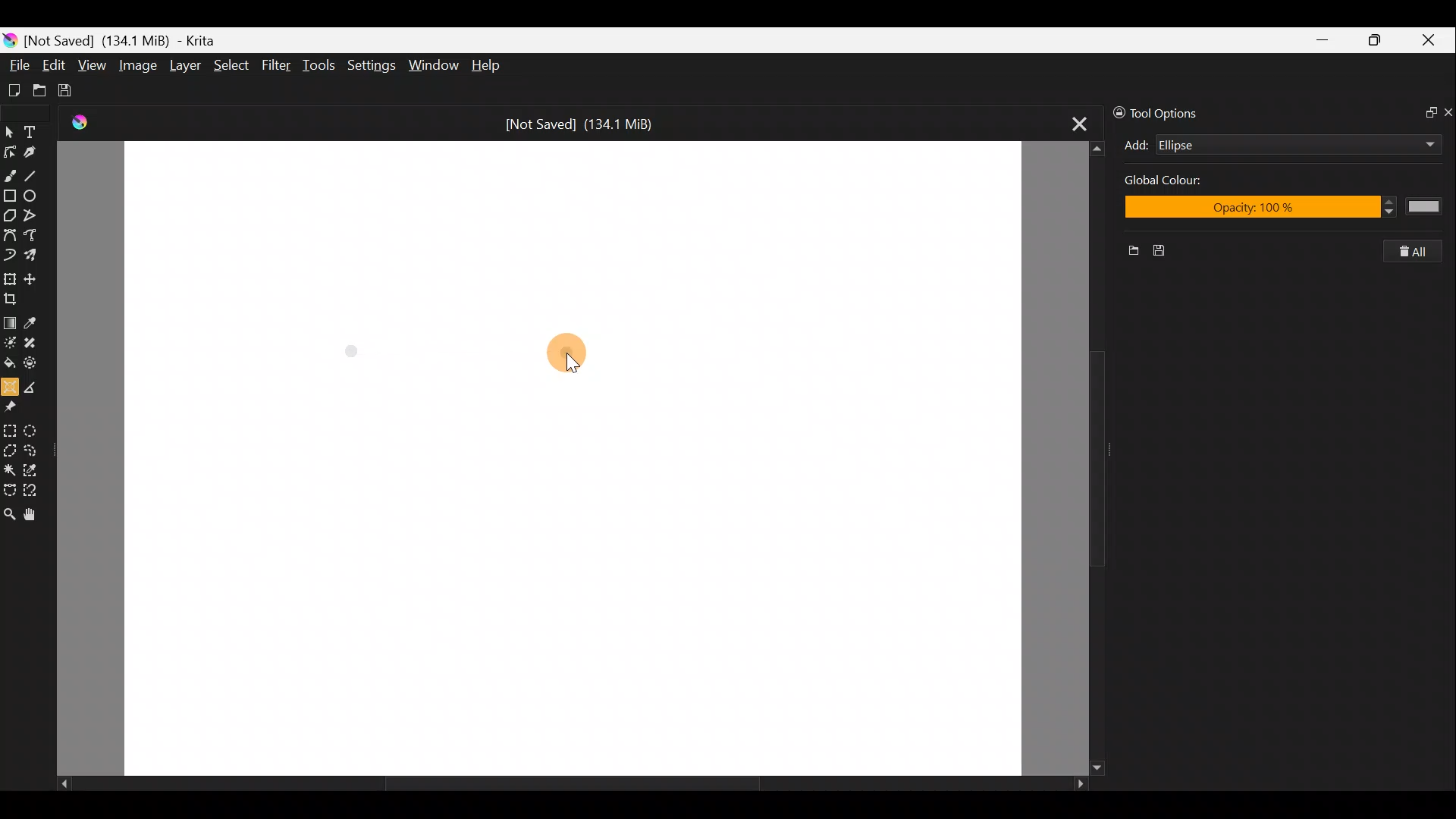 The image size is (1456, 819). Describe the element at coordinates (37, 89) in the screenshot. I see `Open existing document` at that location.